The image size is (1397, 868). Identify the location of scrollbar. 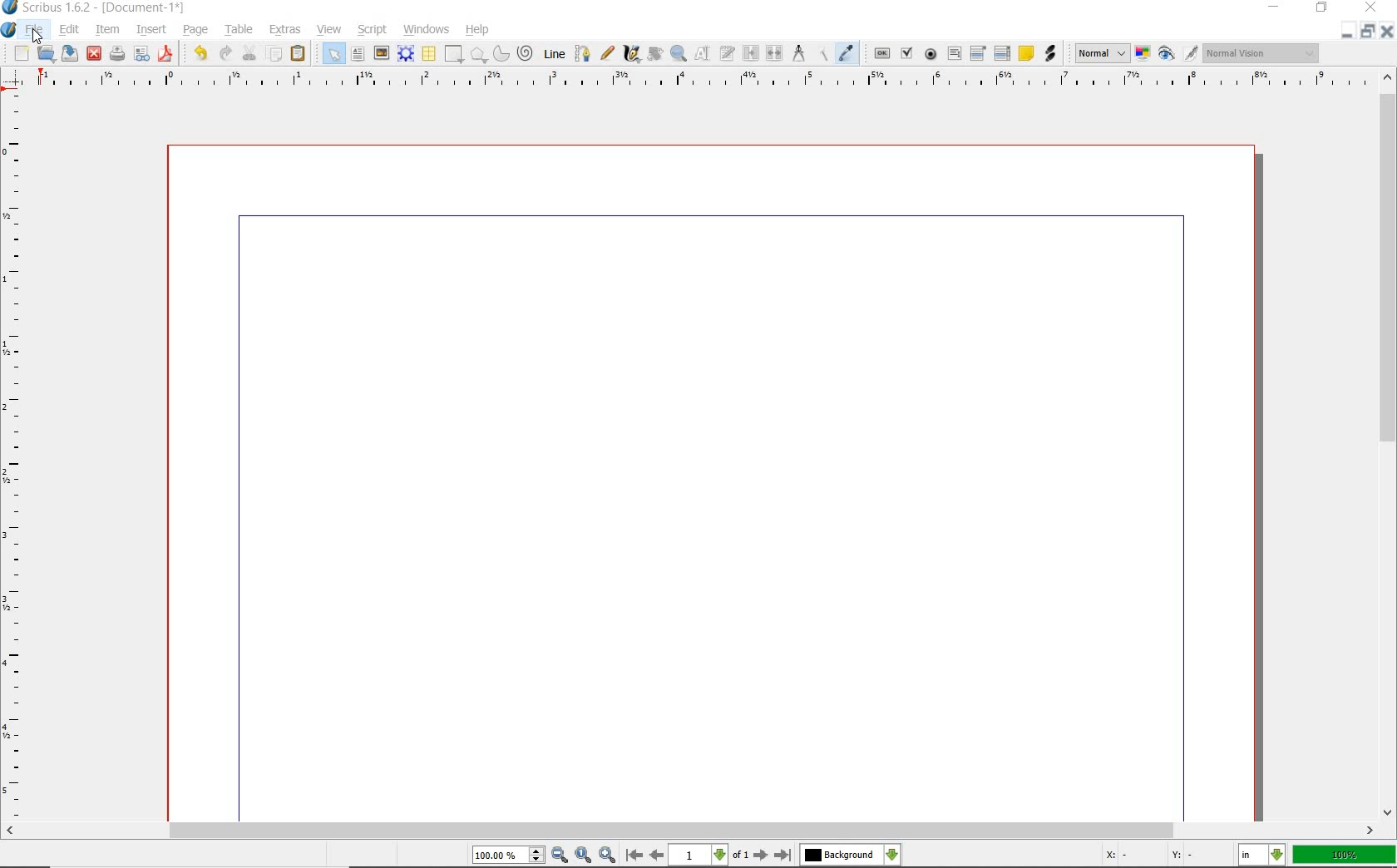
(689, 832).